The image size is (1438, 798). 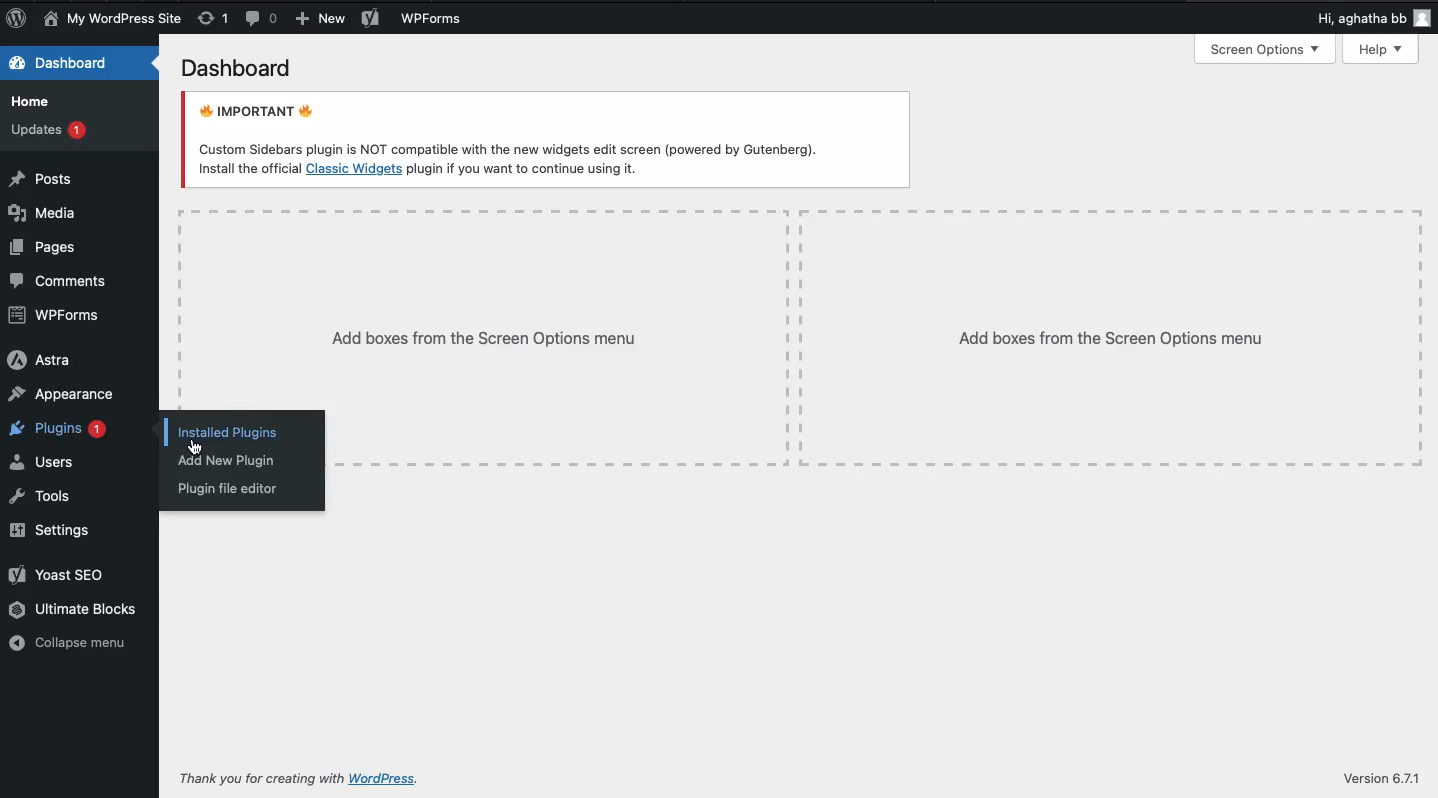 I want to click on Yoast, so click(x=371, y=20).